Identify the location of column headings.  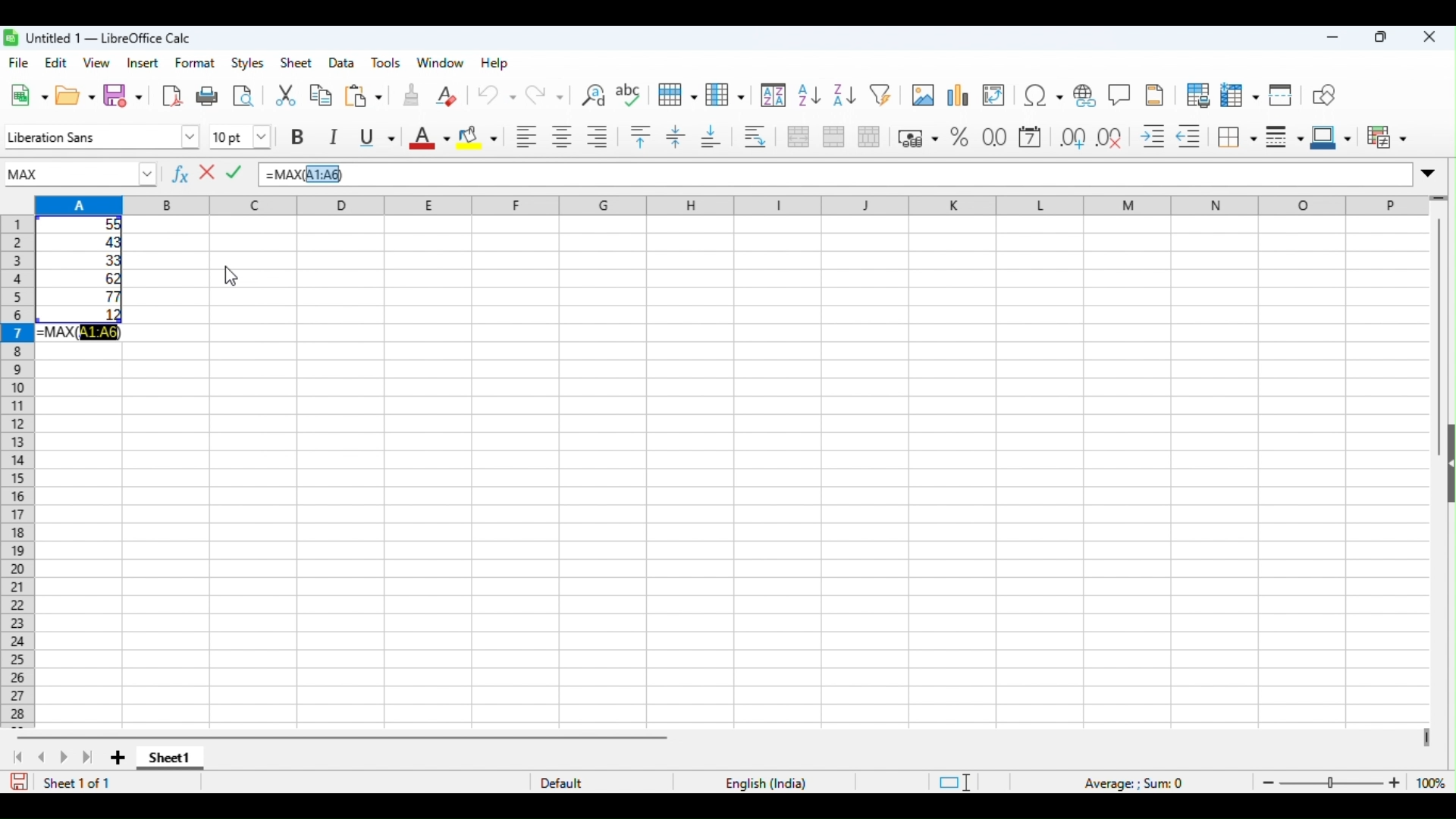
(722, 204).